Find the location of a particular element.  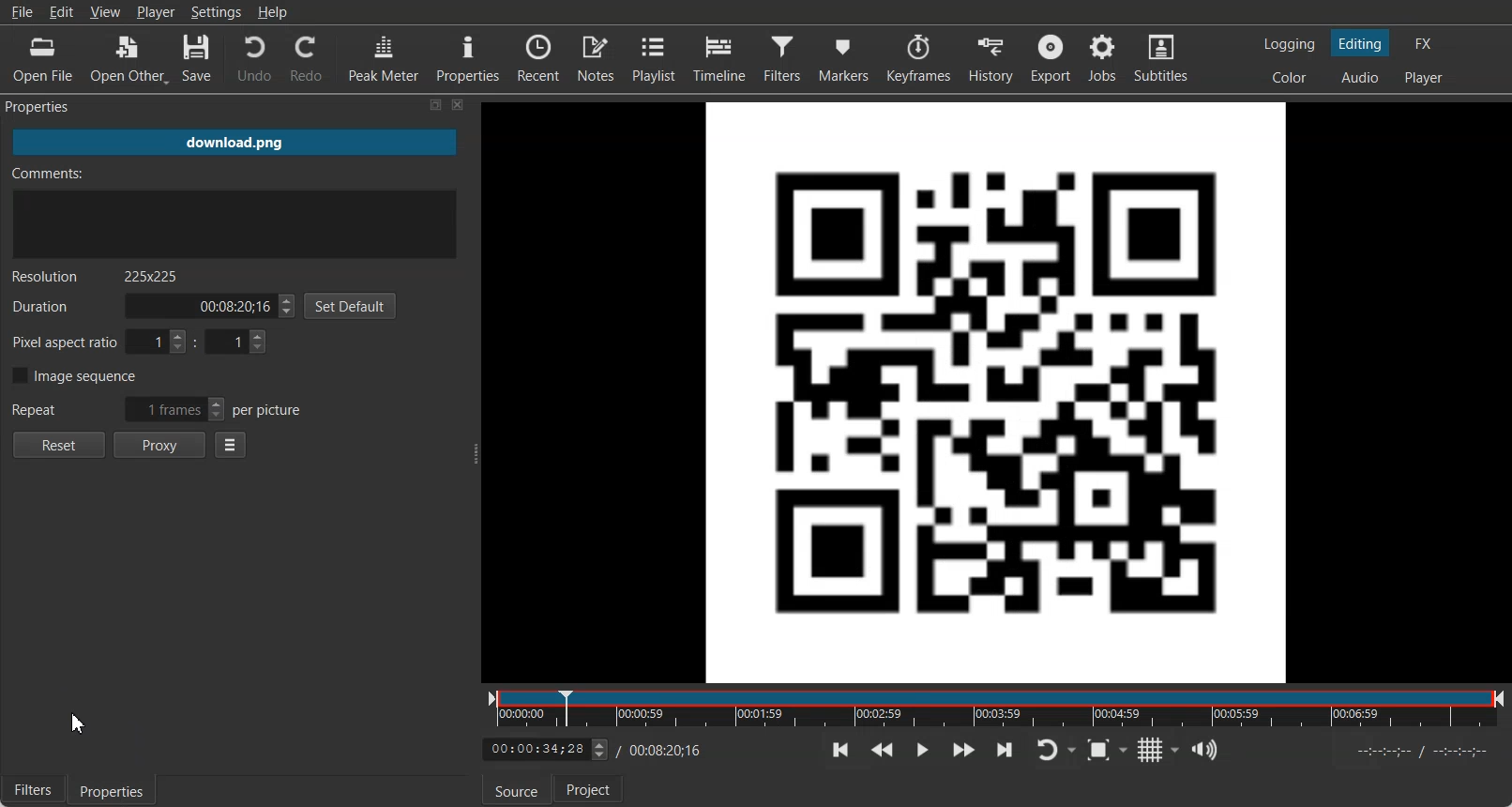

File Aspect ratio set default is located at coordinates (997, 390).